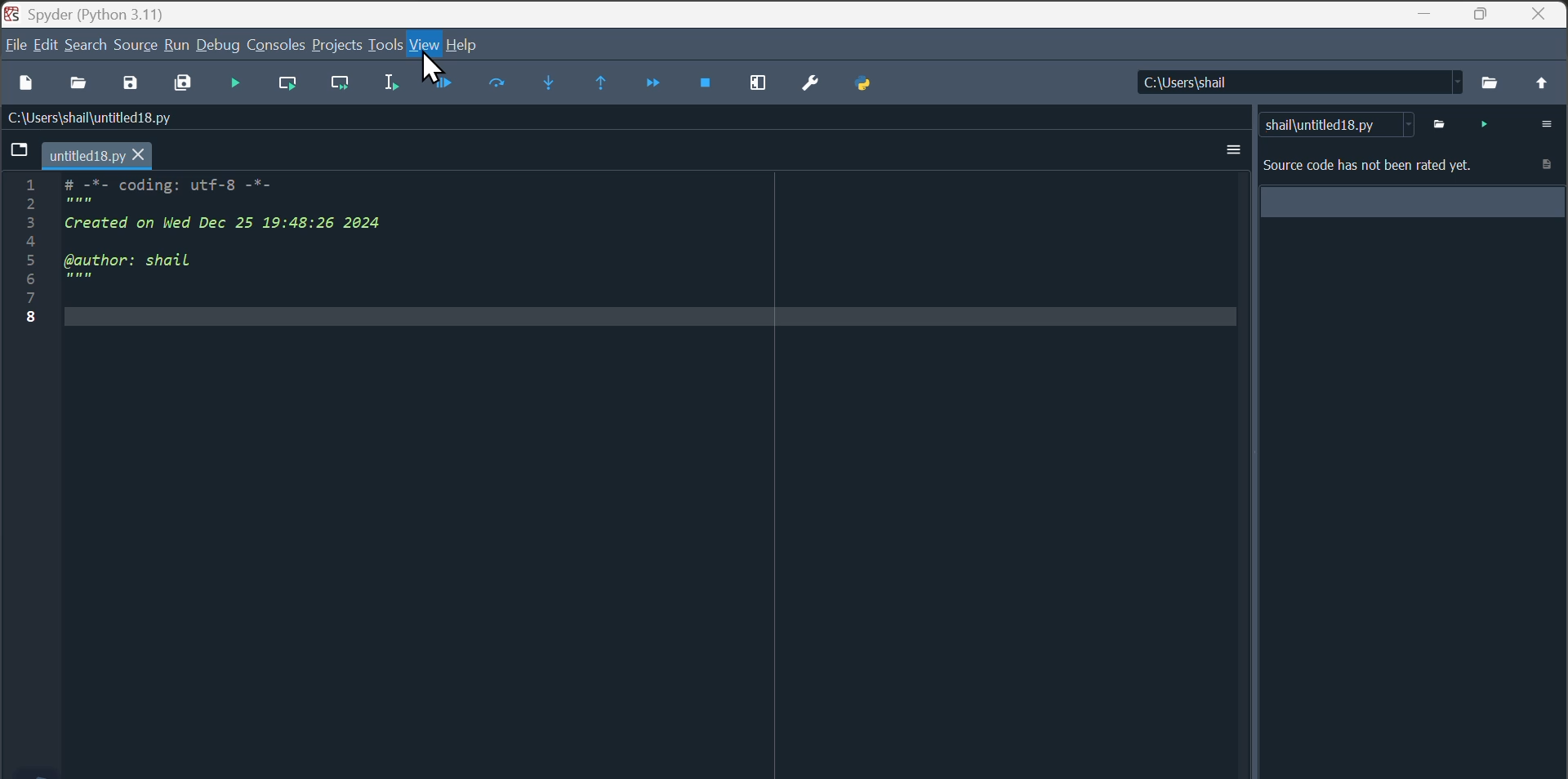 Image resolution: width=1568 pixels, height=779 pixels. I want to click on Run selection, so click(396, 87).